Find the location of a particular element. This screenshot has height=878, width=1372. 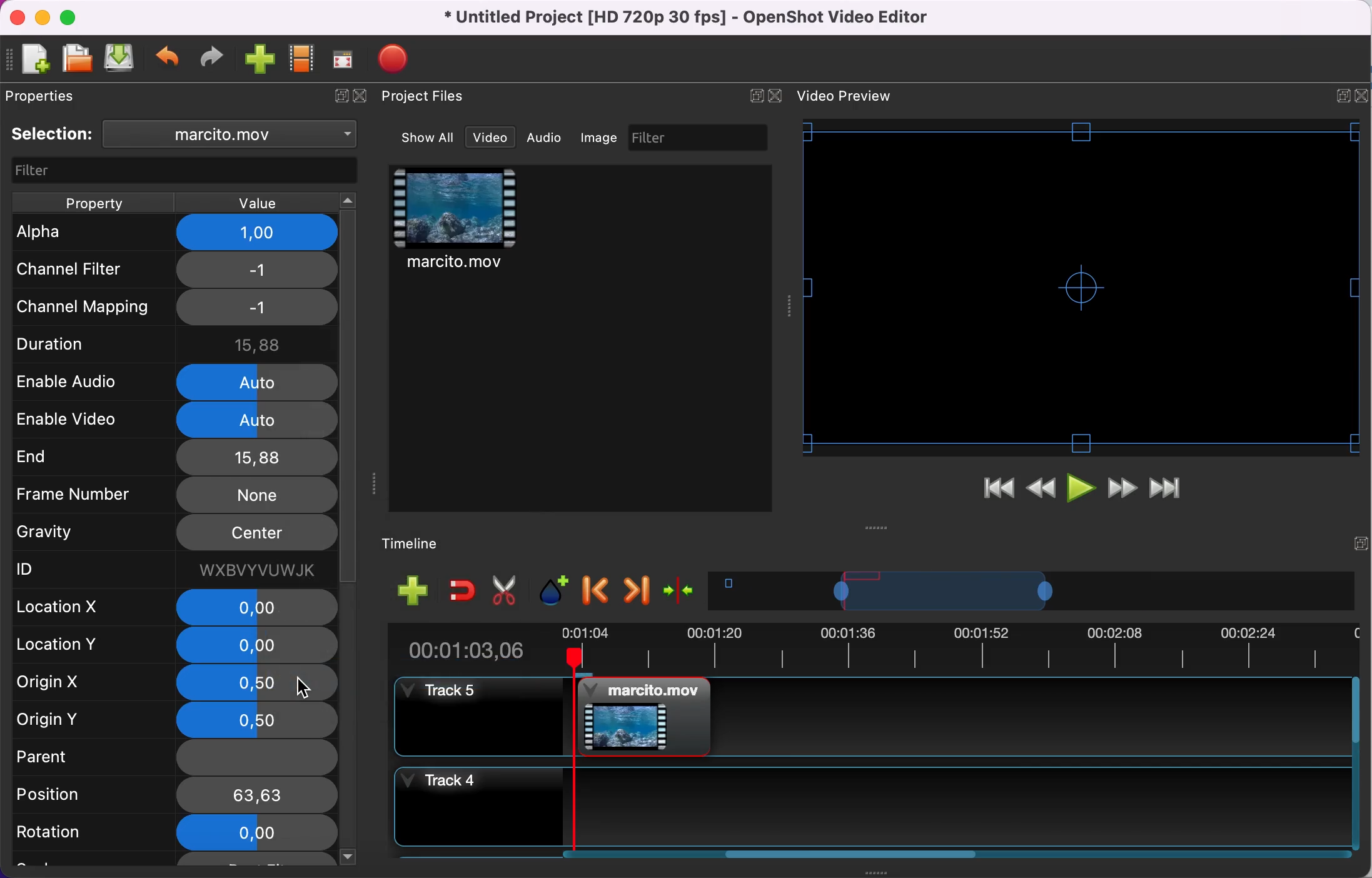

clip duration is located at coordinates (864, 648).